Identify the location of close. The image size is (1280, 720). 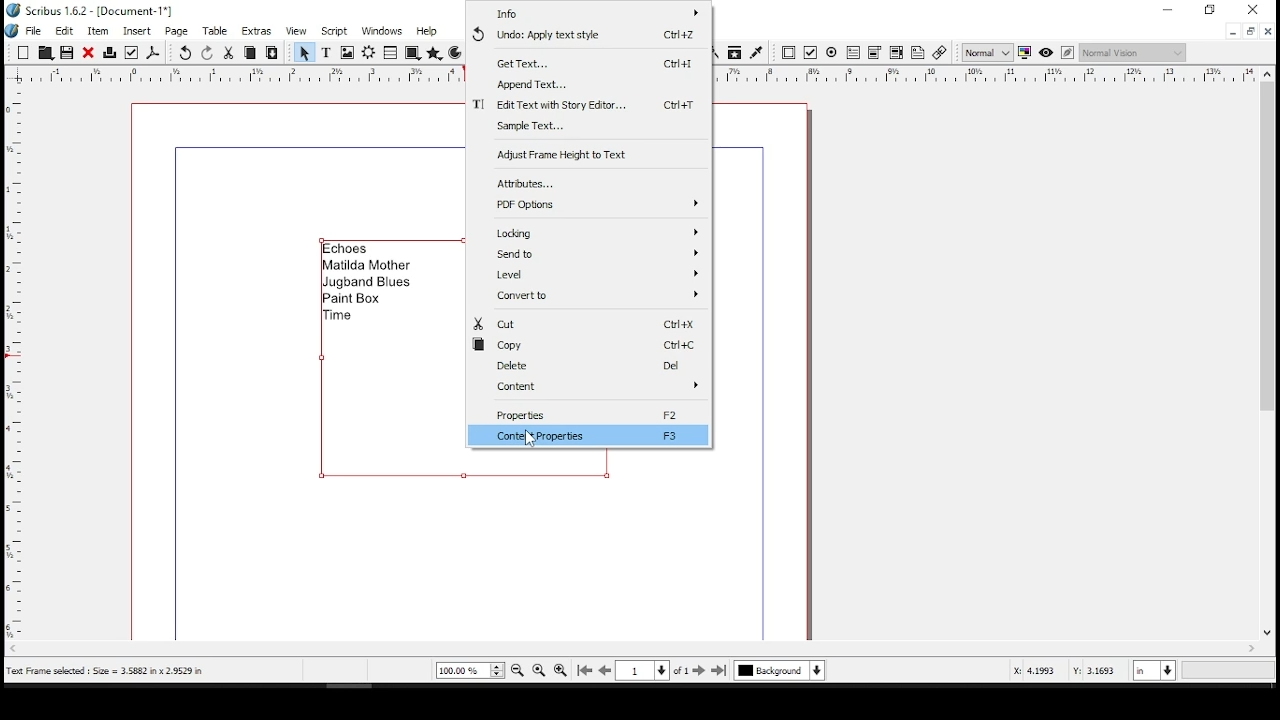
(88, 52).